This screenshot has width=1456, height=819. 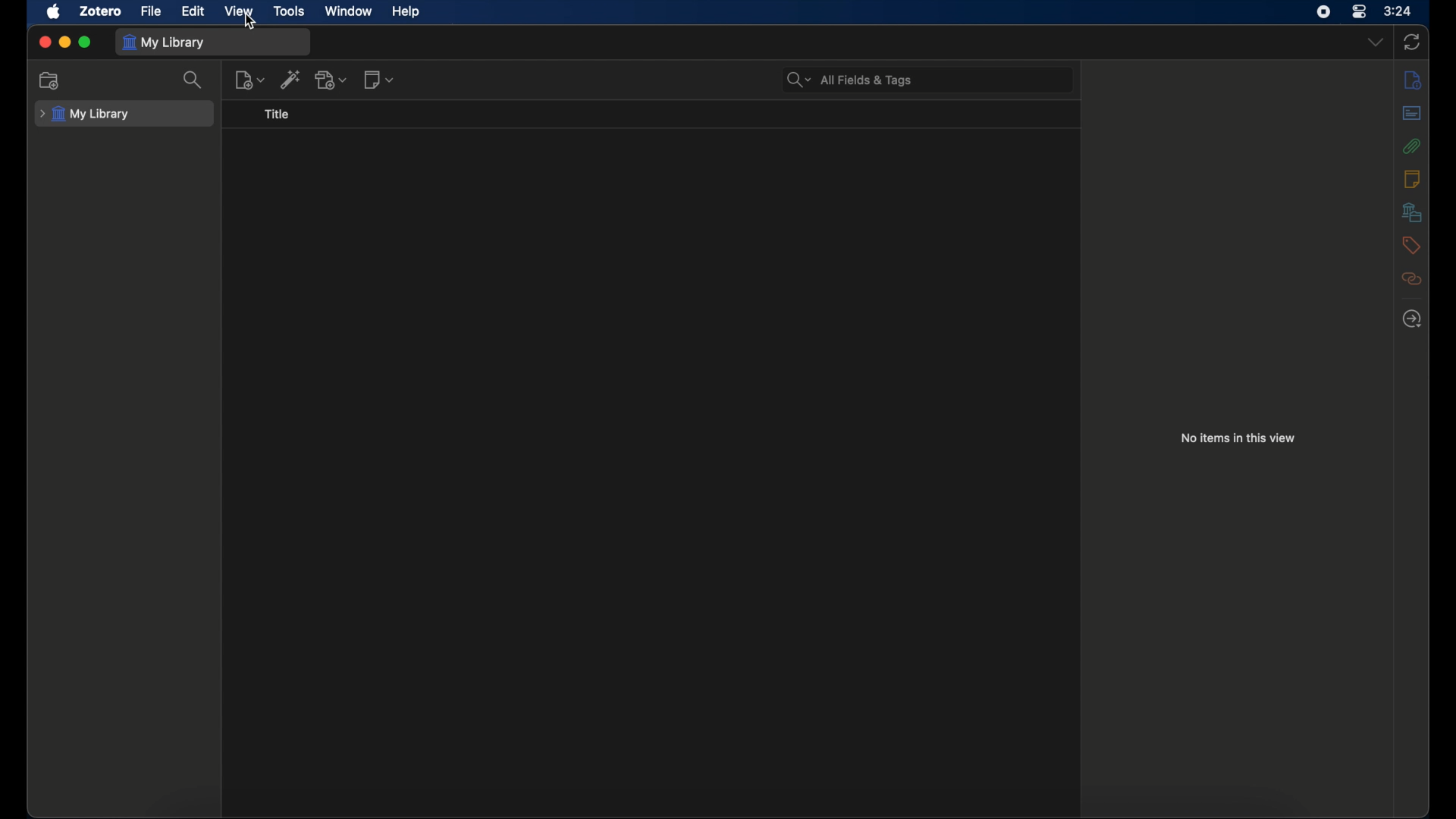 I want to click on maximize, so click(x=86, y=42).